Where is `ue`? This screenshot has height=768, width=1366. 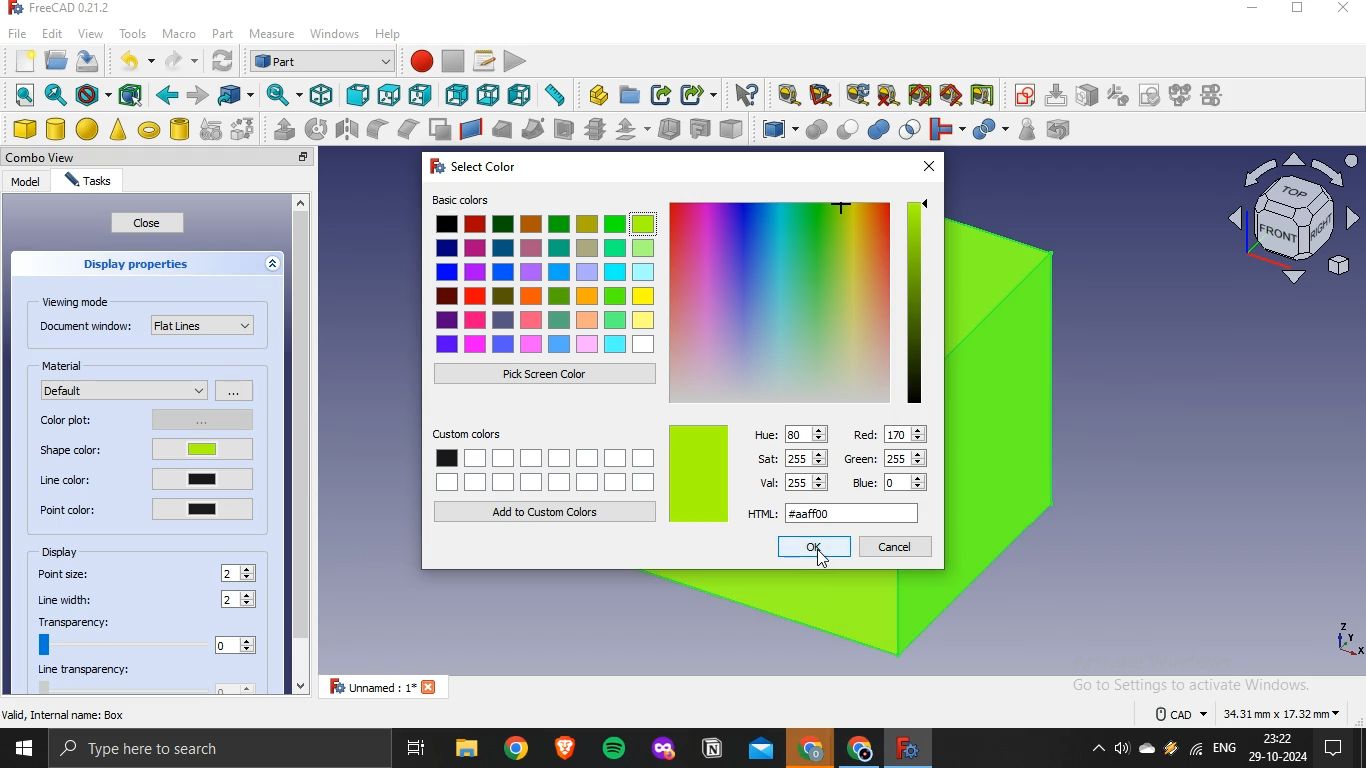
ue is located at coordinates (791, 432).